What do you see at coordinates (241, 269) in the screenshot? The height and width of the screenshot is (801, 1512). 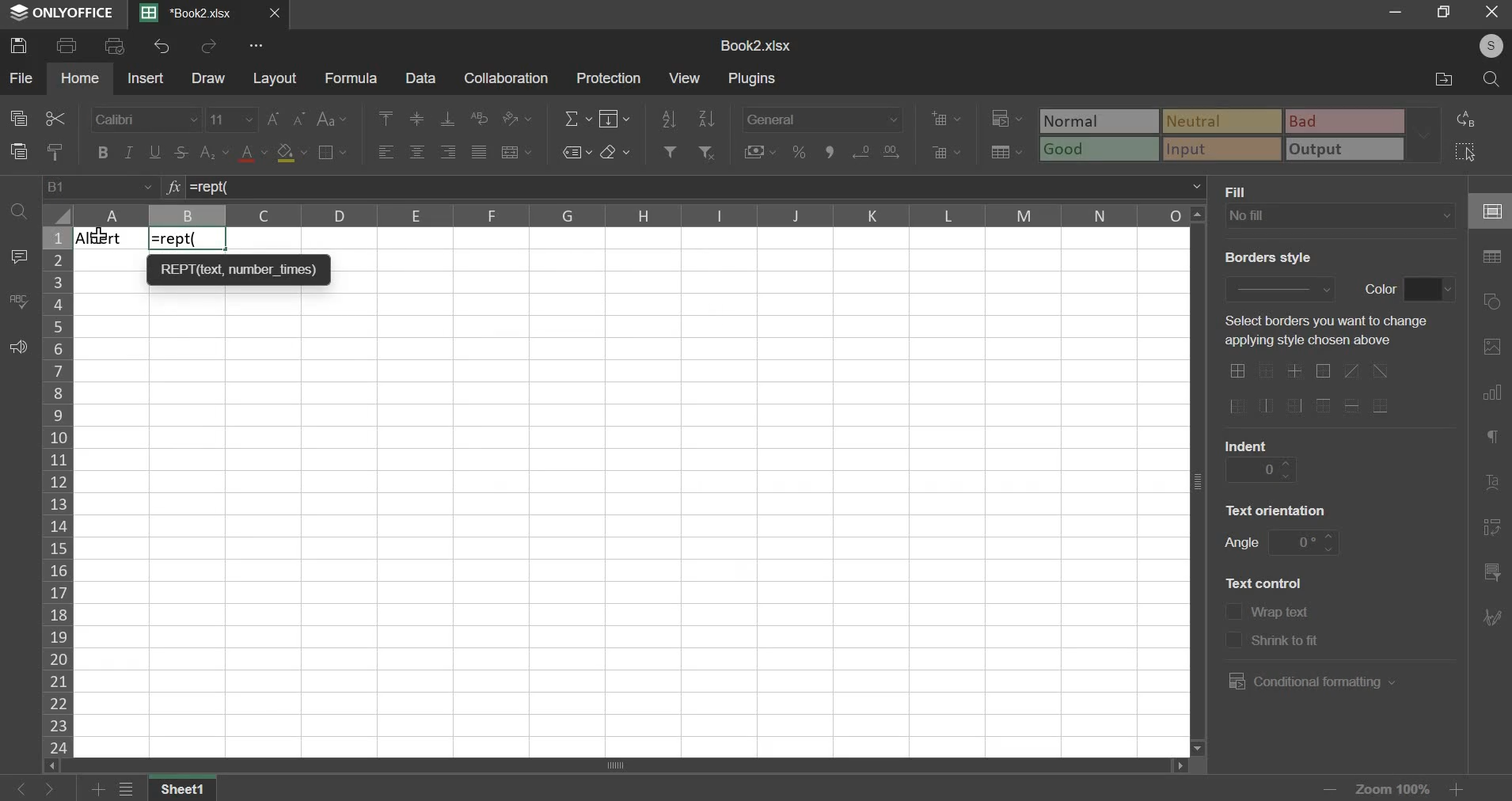 I see `REPT(text, number _times)` at bounding box center [241, 269].